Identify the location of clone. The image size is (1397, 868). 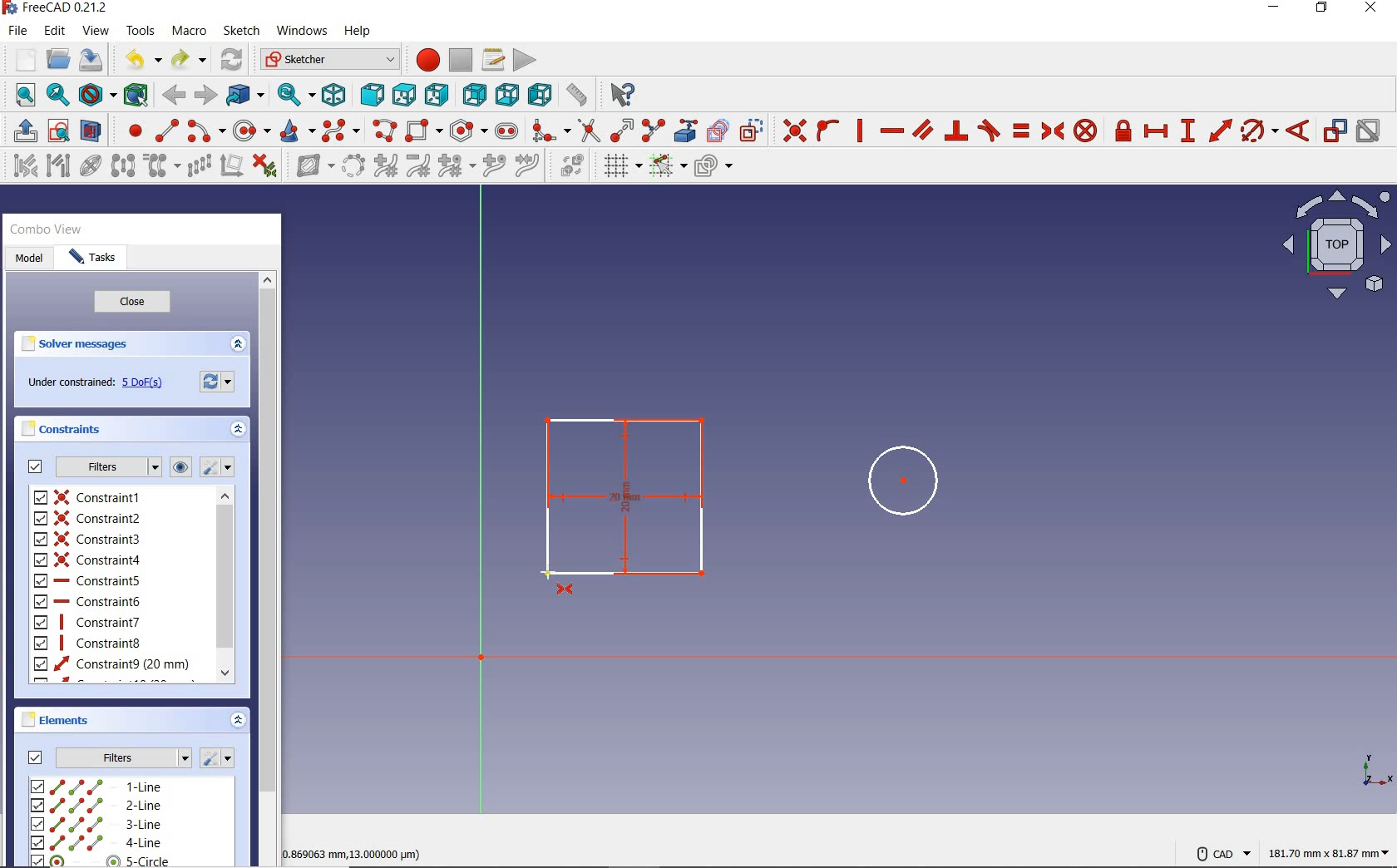
(160, 167).